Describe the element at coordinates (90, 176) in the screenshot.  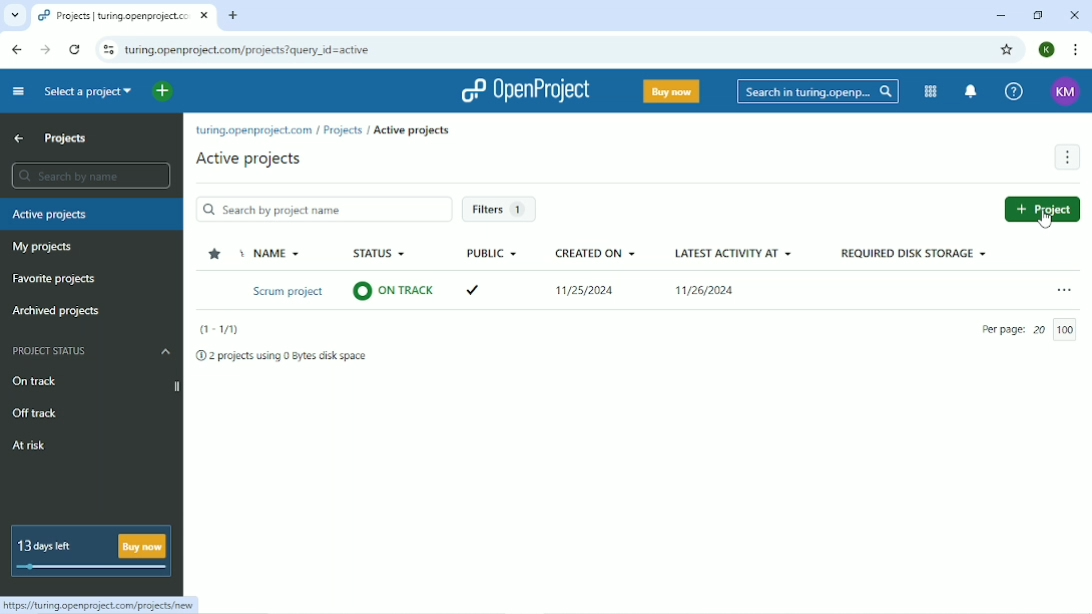
I see `Search by name` at that location.